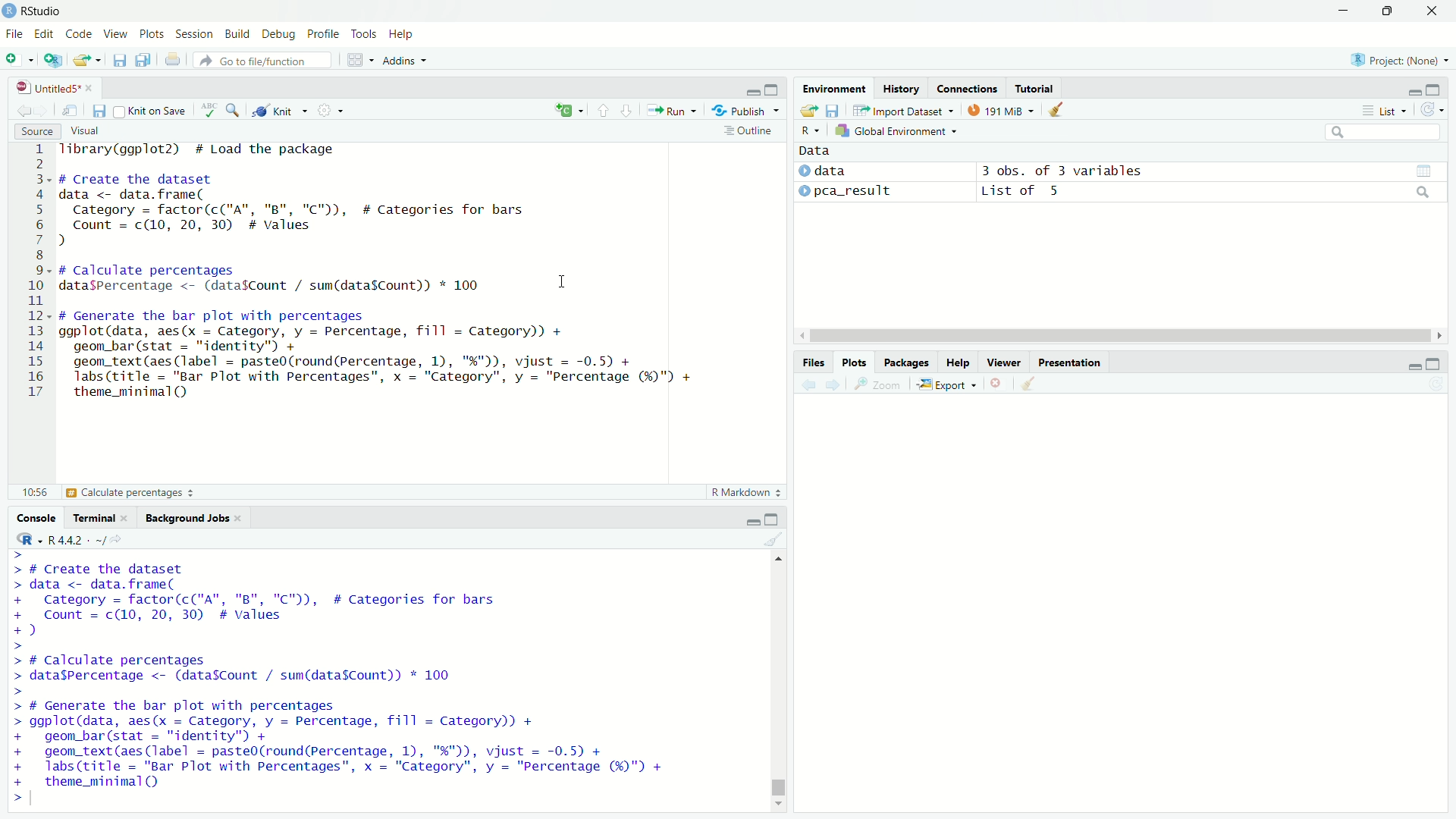 Image resolution: width=1456 pixels, height=819 pixels. What do you see at coordinates (1414, 89) in the screenshot?
I see `minimize` at bounding box center [1414, 89].